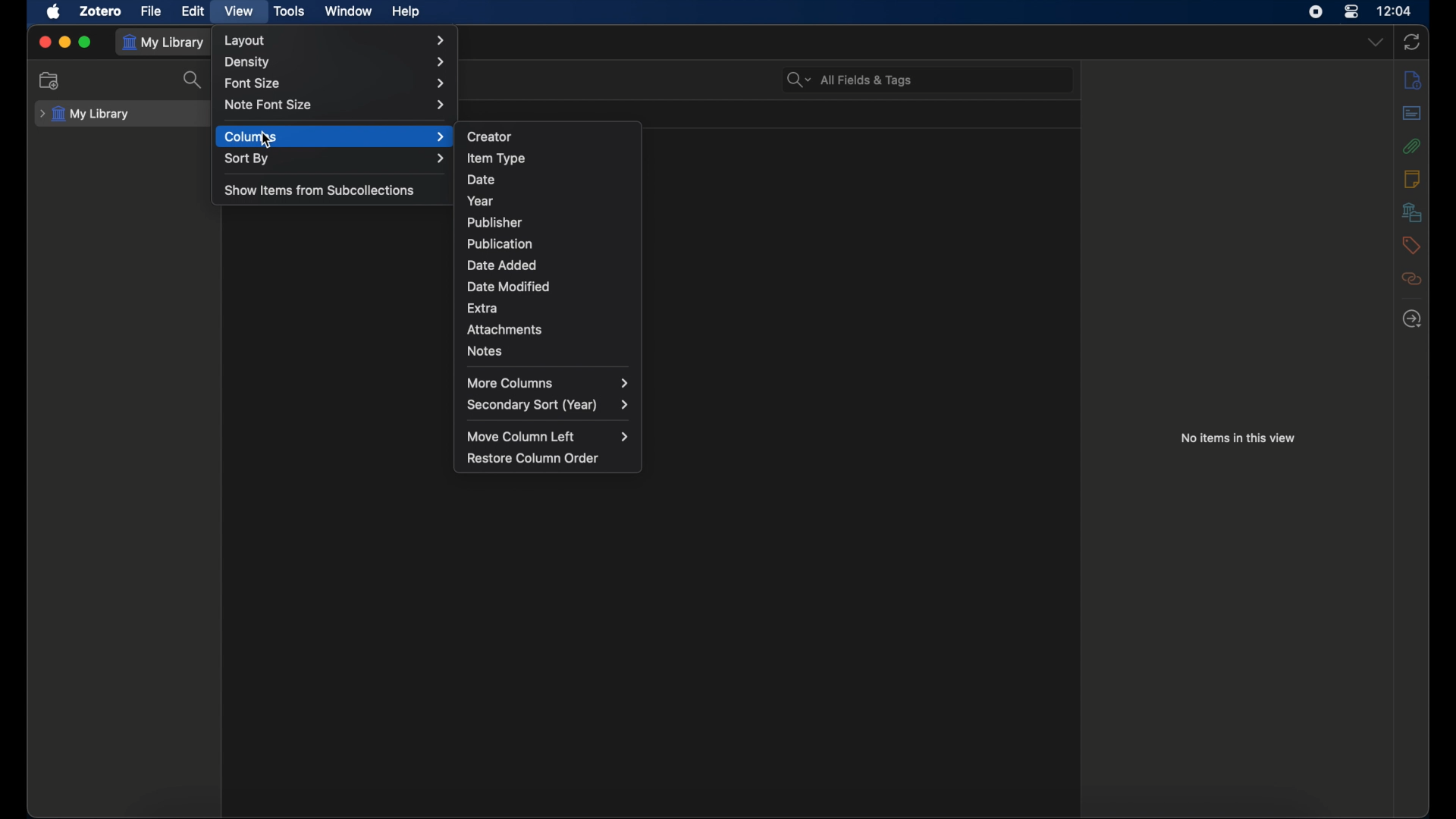  What do you see at coordinates (64, 42) in the screenshot?
I see `minimize` at bounding box center [64, 42].